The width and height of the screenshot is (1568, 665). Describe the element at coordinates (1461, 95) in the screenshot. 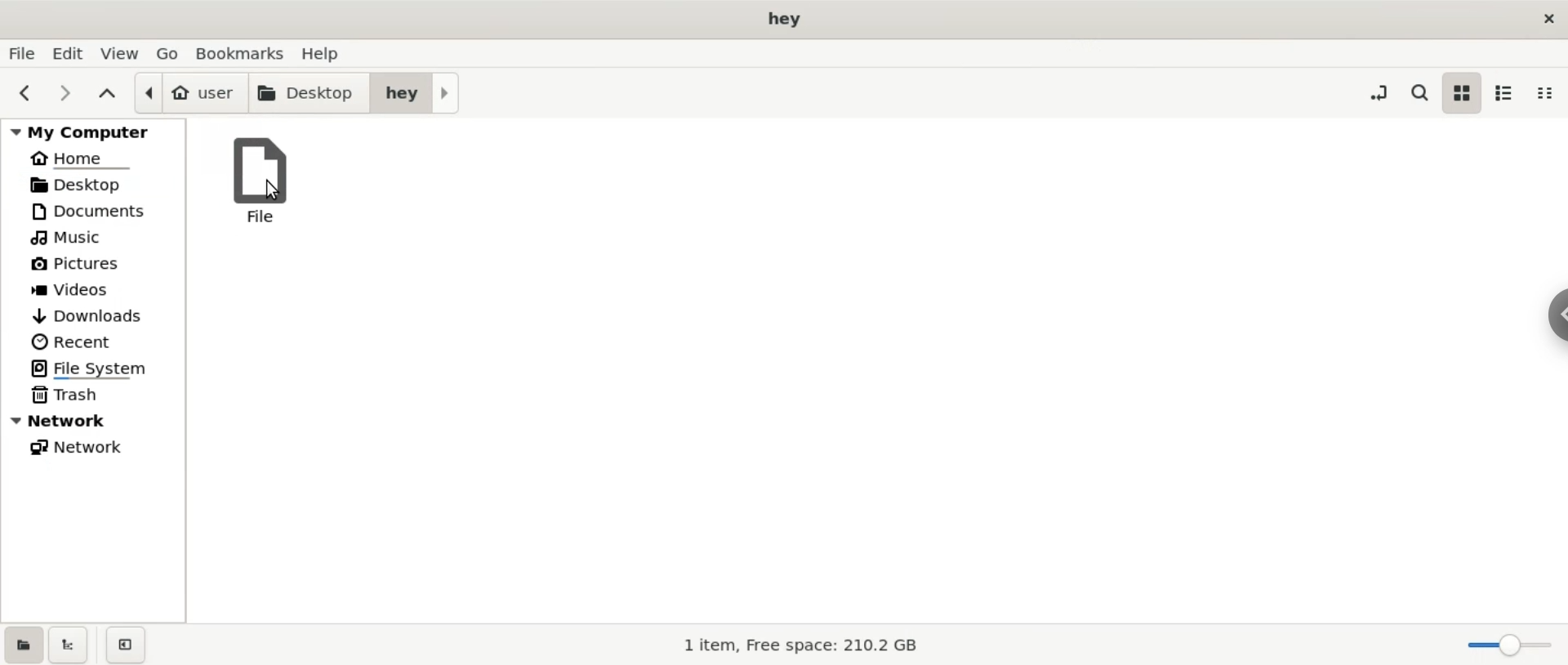

I see `icon view` at that location.